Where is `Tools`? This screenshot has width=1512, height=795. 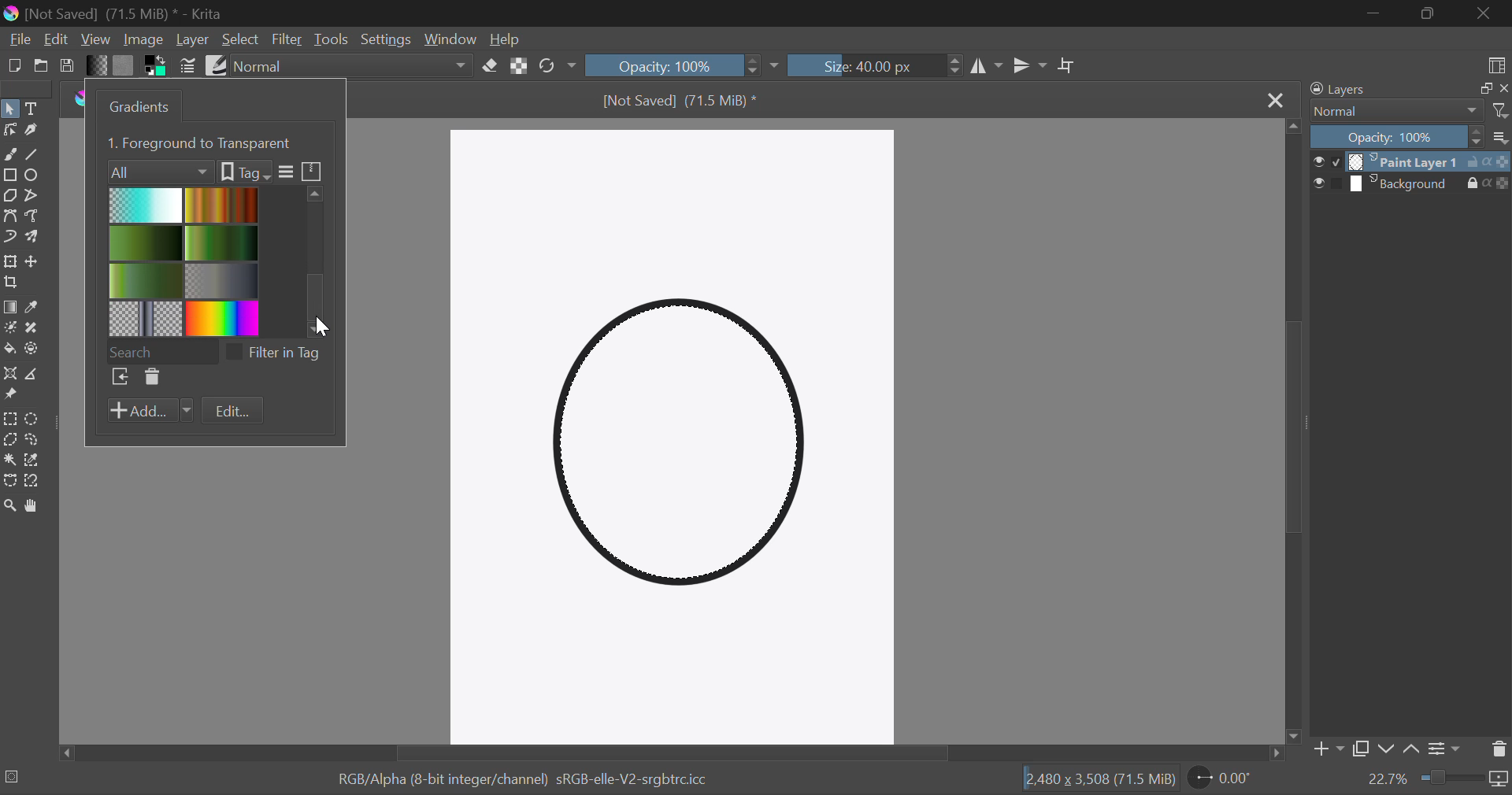
Tools is located at coordinates (332, 39).